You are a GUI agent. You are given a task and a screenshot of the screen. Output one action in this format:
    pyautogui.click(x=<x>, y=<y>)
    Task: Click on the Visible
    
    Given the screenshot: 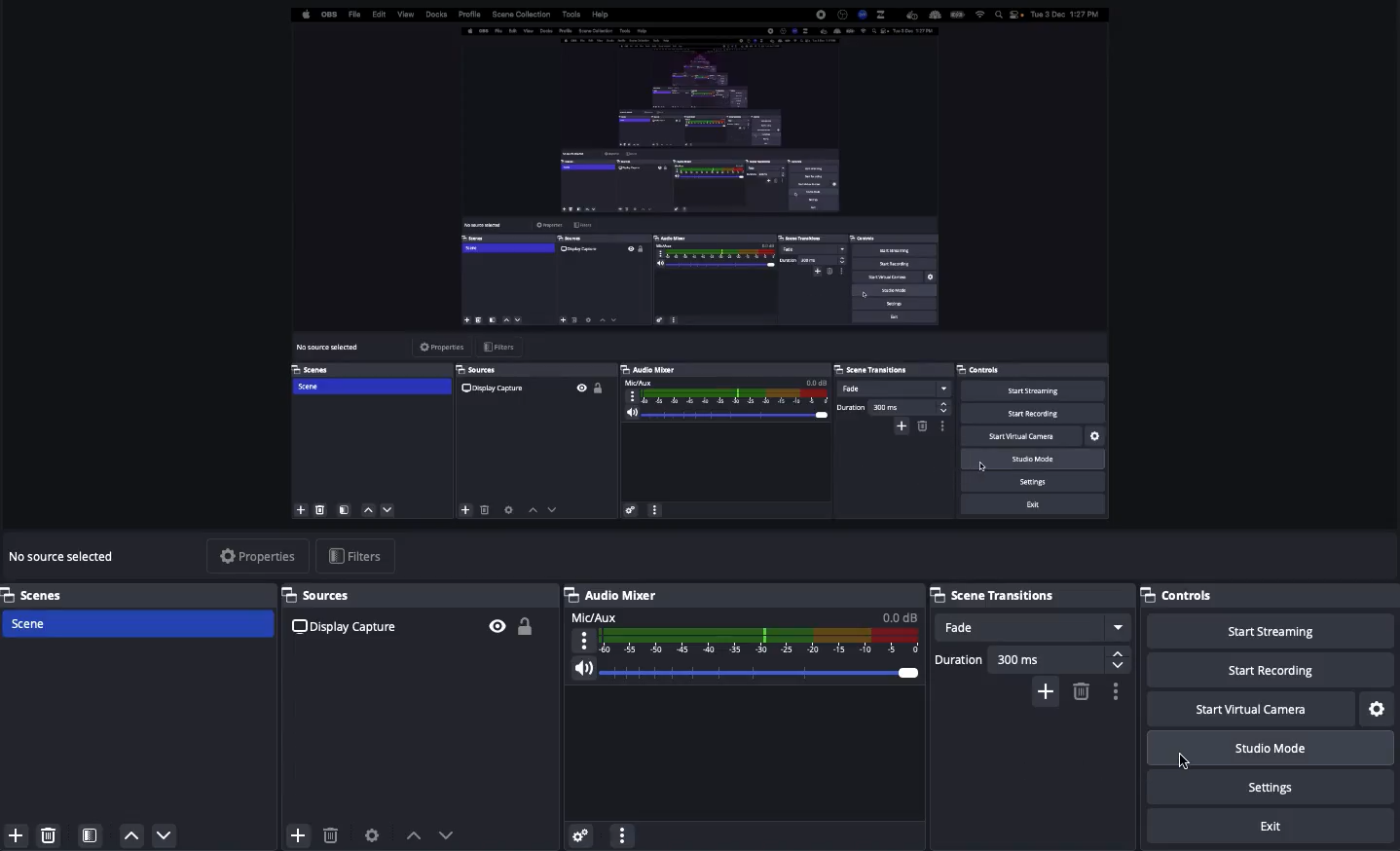 What is the action you would take?
    pyautogui.click(x=498, y=626)
    